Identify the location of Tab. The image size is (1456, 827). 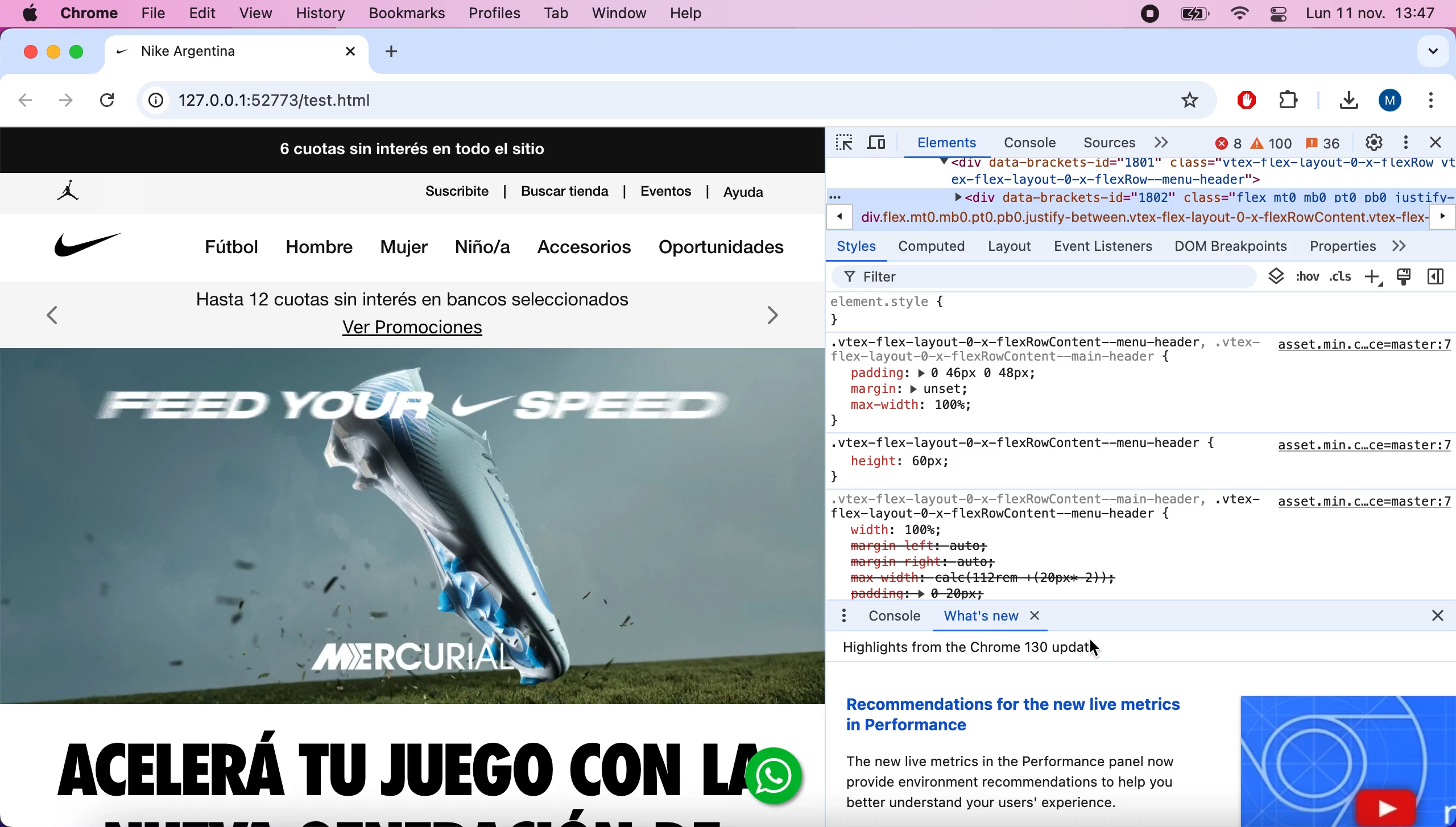
(558, 13).